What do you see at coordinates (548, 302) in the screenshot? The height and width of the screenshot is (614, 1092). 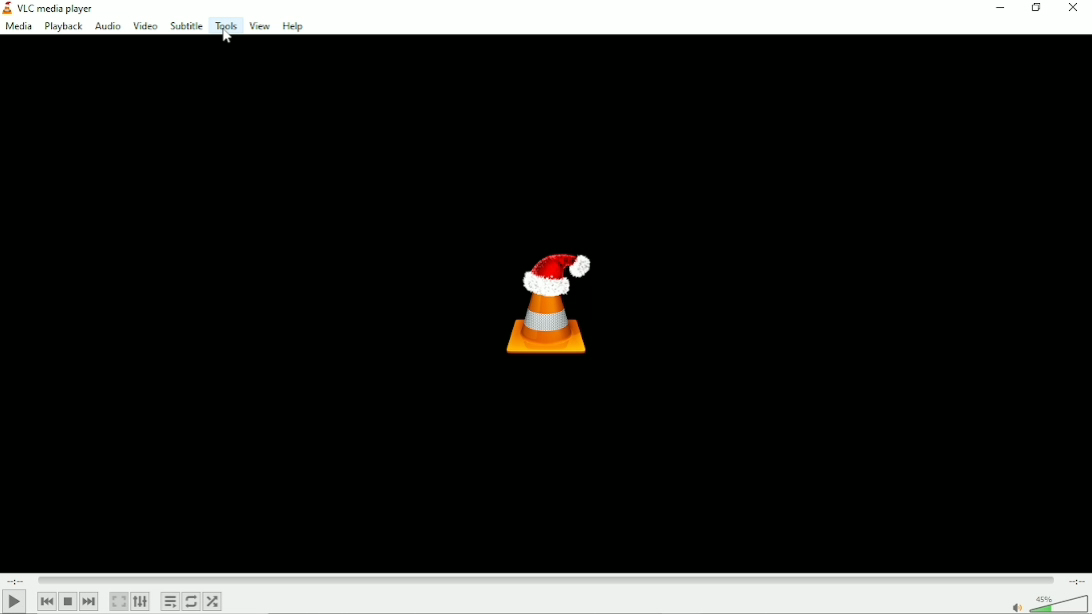 I see `Logo` at bounding box center [548, 302].